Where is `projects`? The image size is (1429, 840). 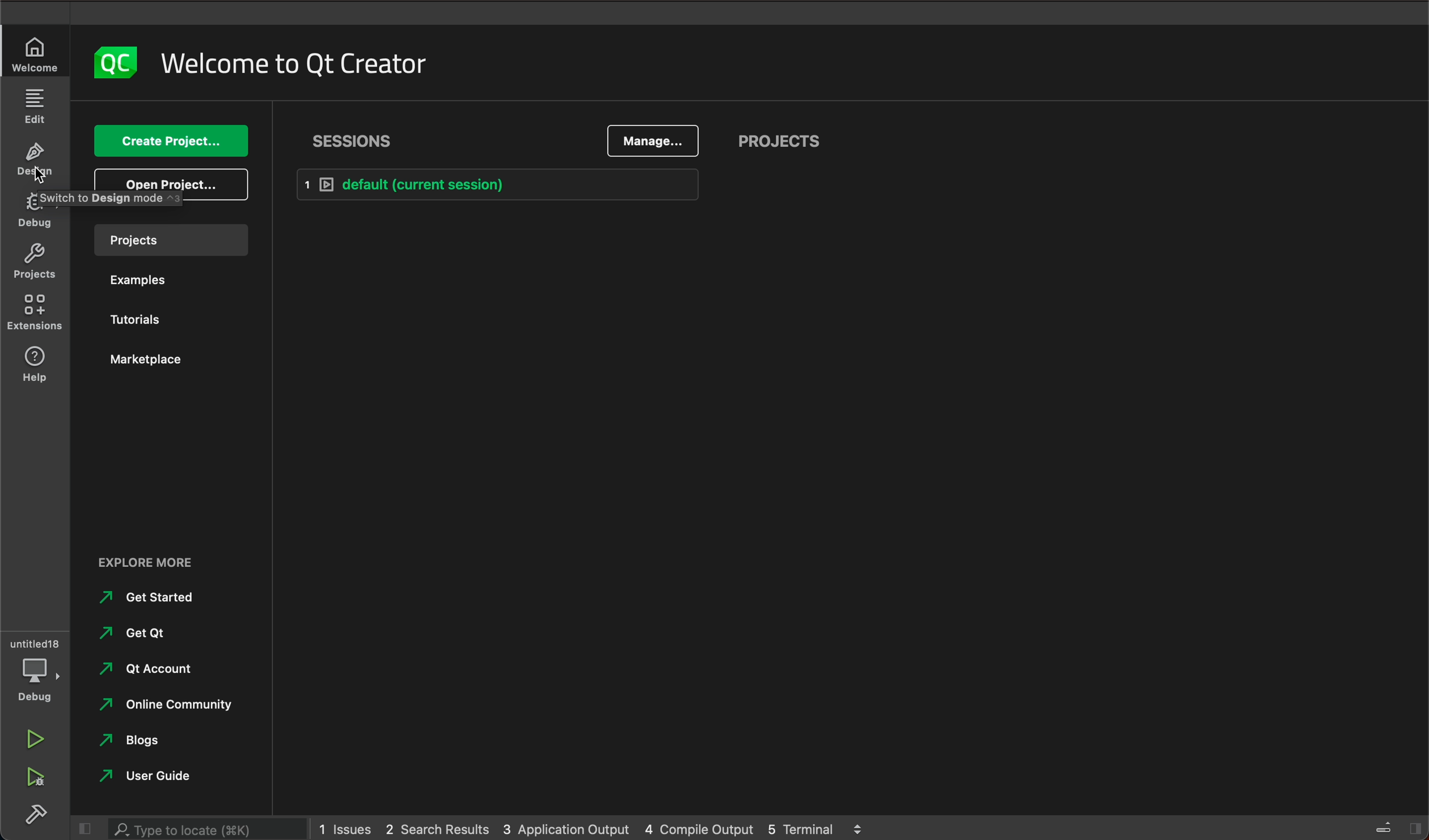
projects is located at coordinates (175, 240).